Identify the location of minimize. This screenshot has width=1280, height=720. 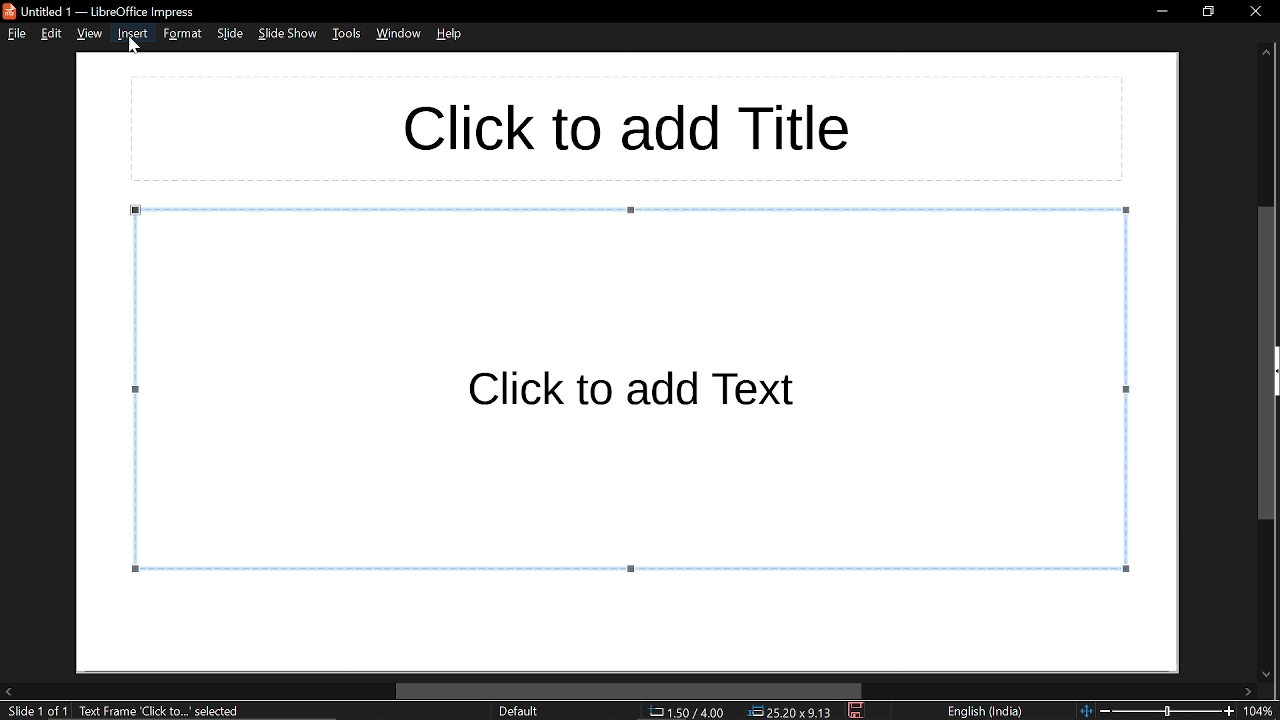
(1158, 13).